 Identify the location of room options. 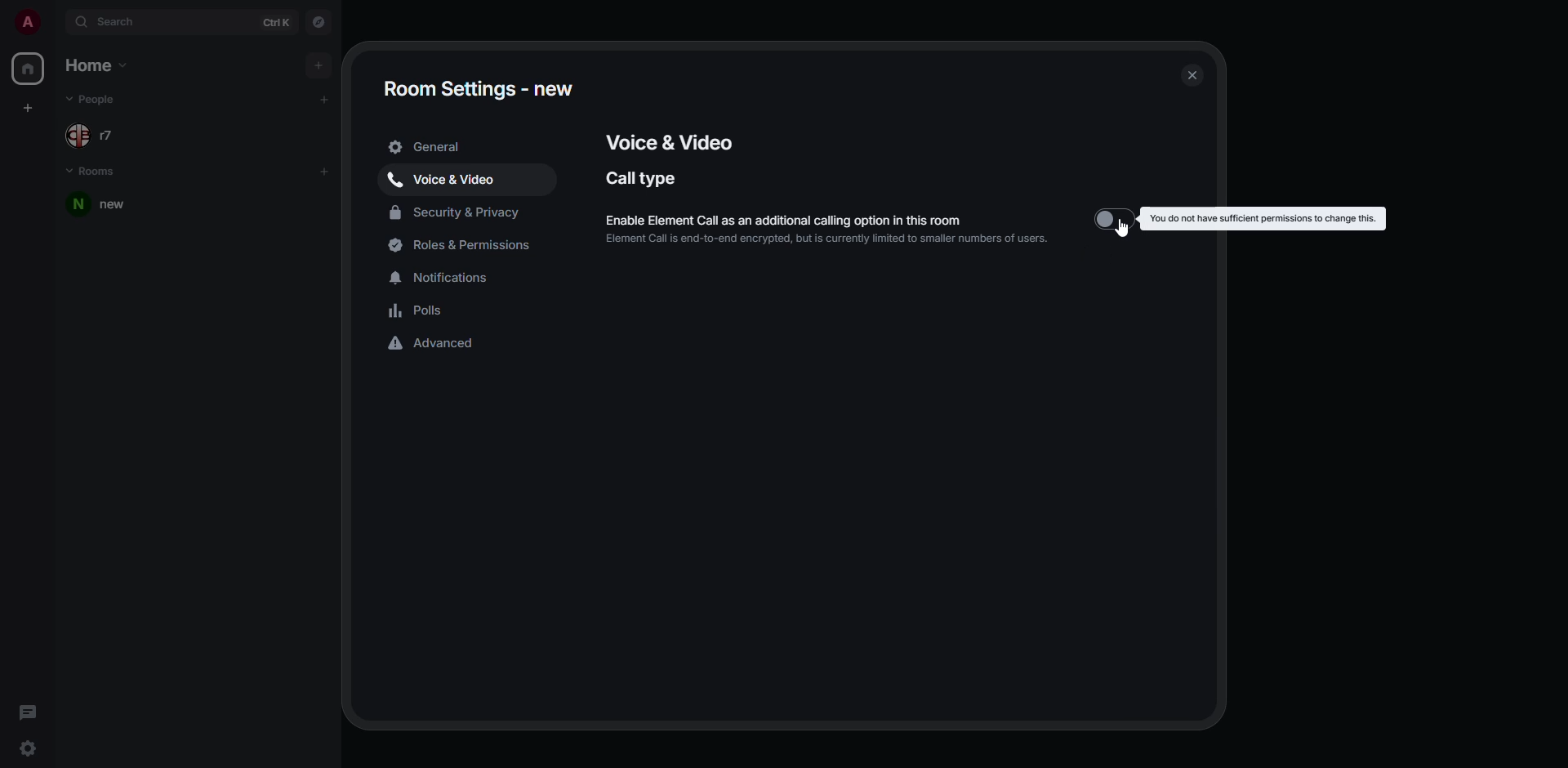
(304, 204).